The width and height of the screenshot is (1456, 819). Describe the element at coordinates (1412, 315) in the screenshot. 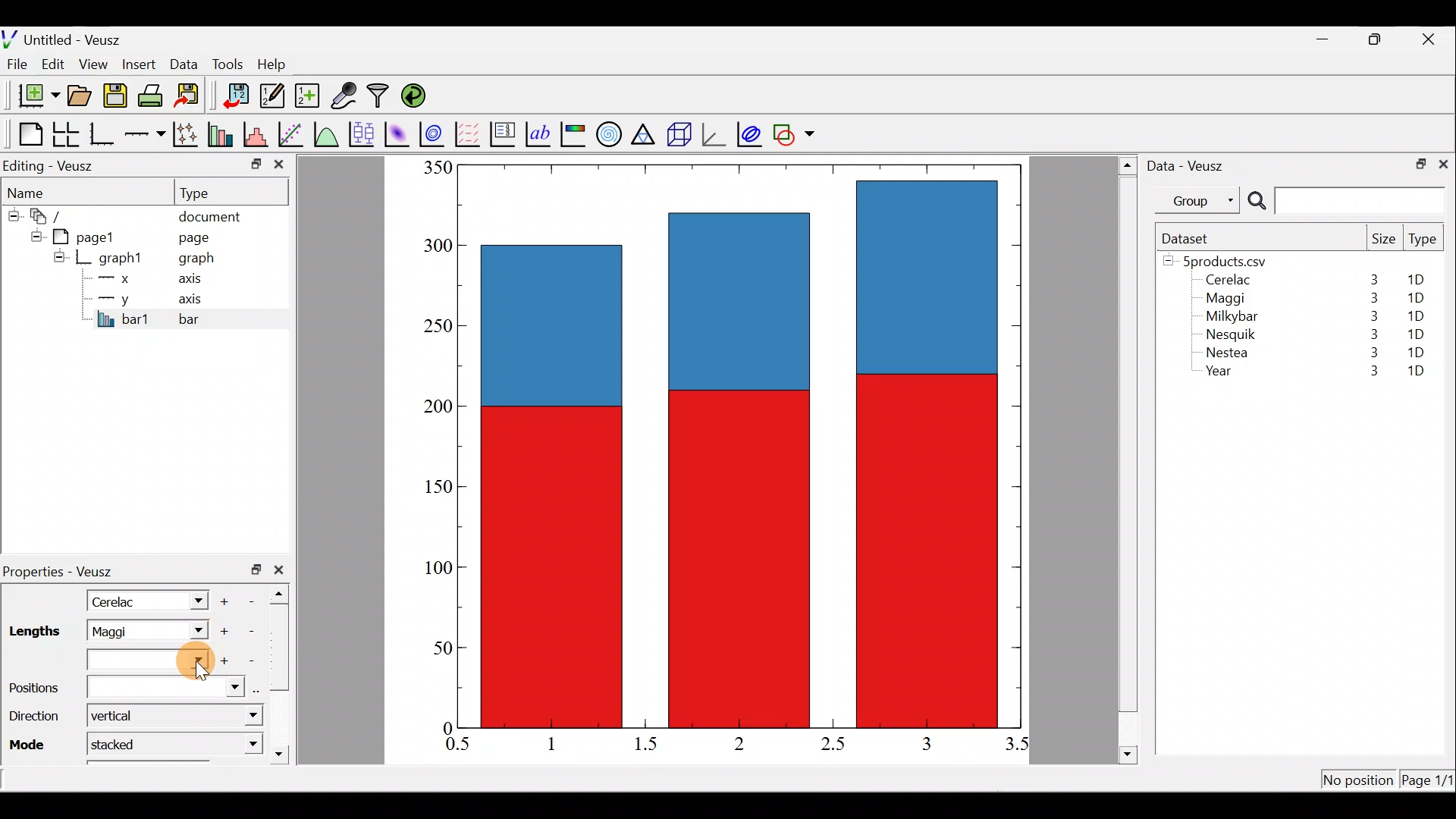

I see `1D` at that location.